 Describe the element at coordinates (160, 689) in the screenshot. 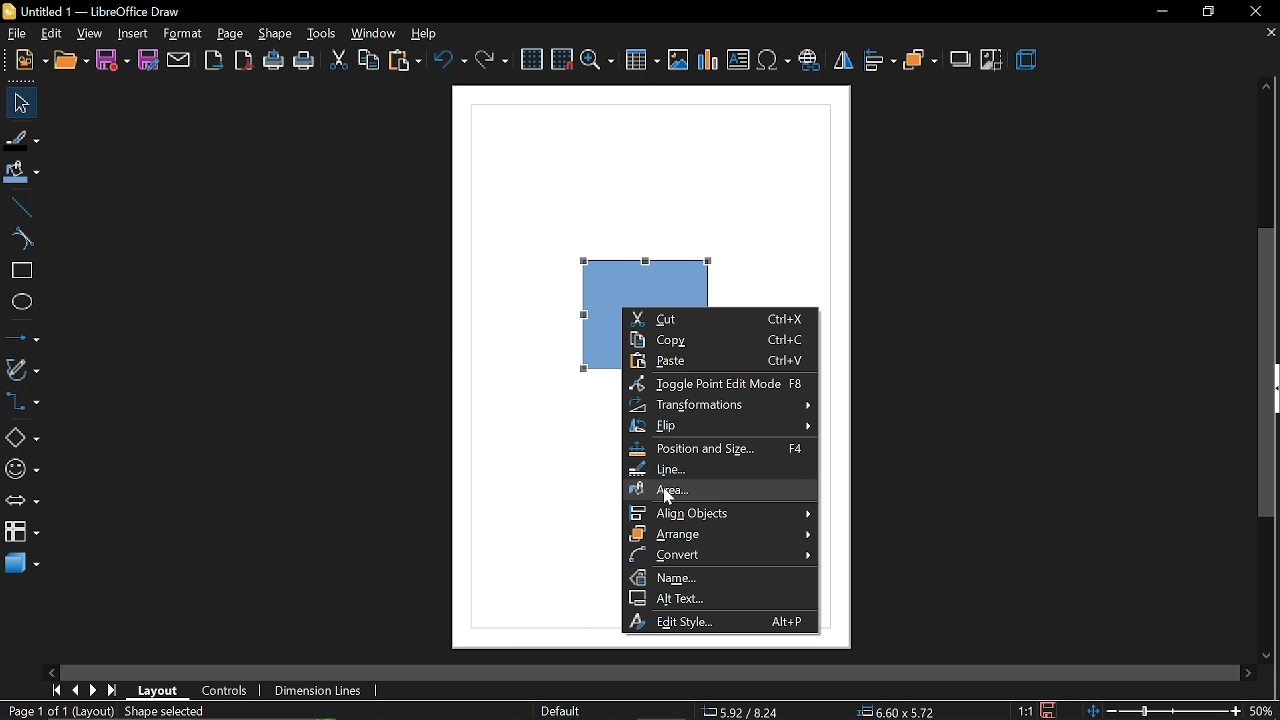

I see `layout` at that location.